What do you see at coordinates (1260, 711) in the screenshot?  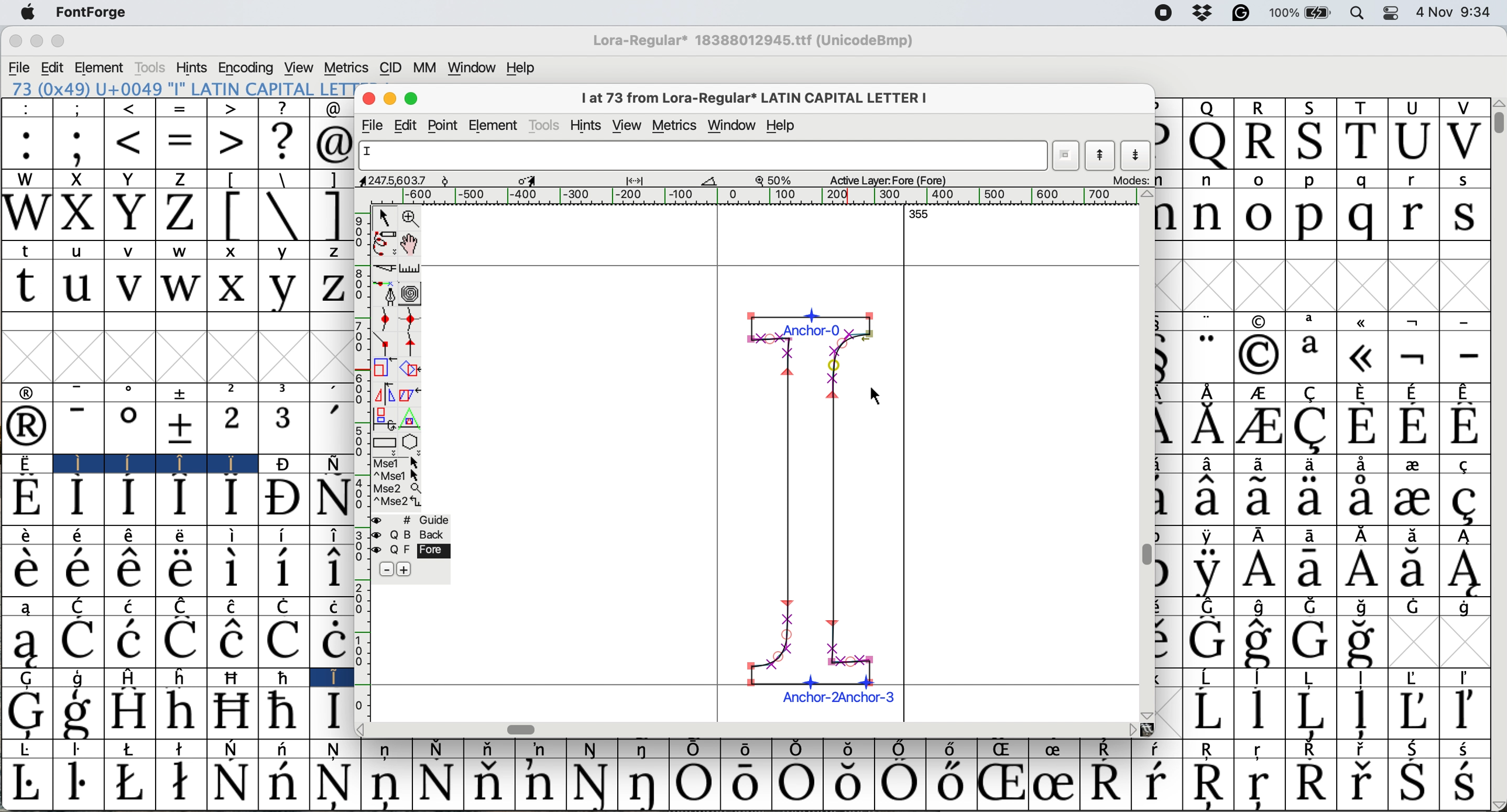 I see `Symbol` at bounding box center [1260, 711].